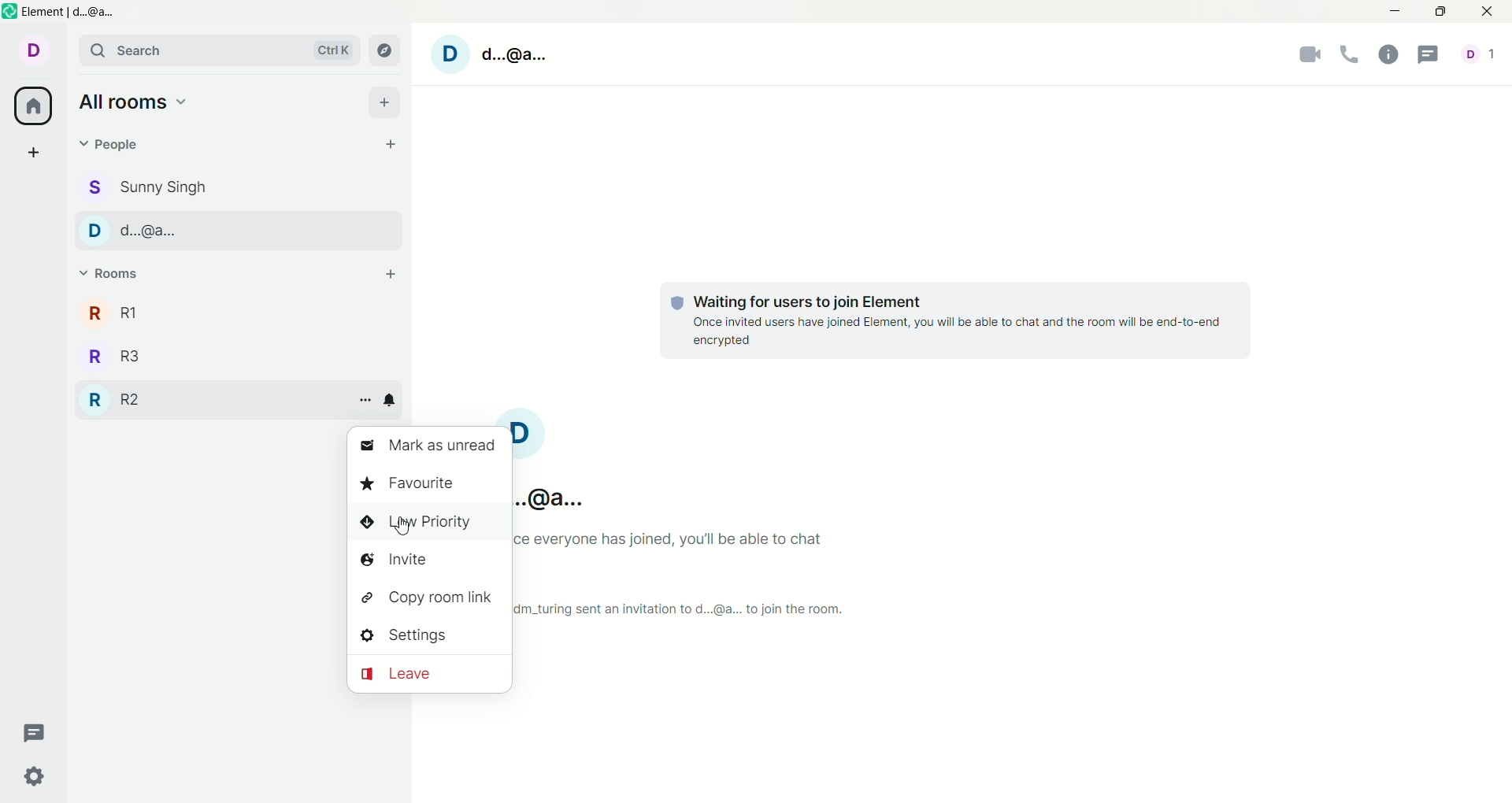 The height and width of the screenshot is (803, 1512). What do you see at coordinates (35, 52) in the screenshot?
I see `account` at bounding box center [35, 52].